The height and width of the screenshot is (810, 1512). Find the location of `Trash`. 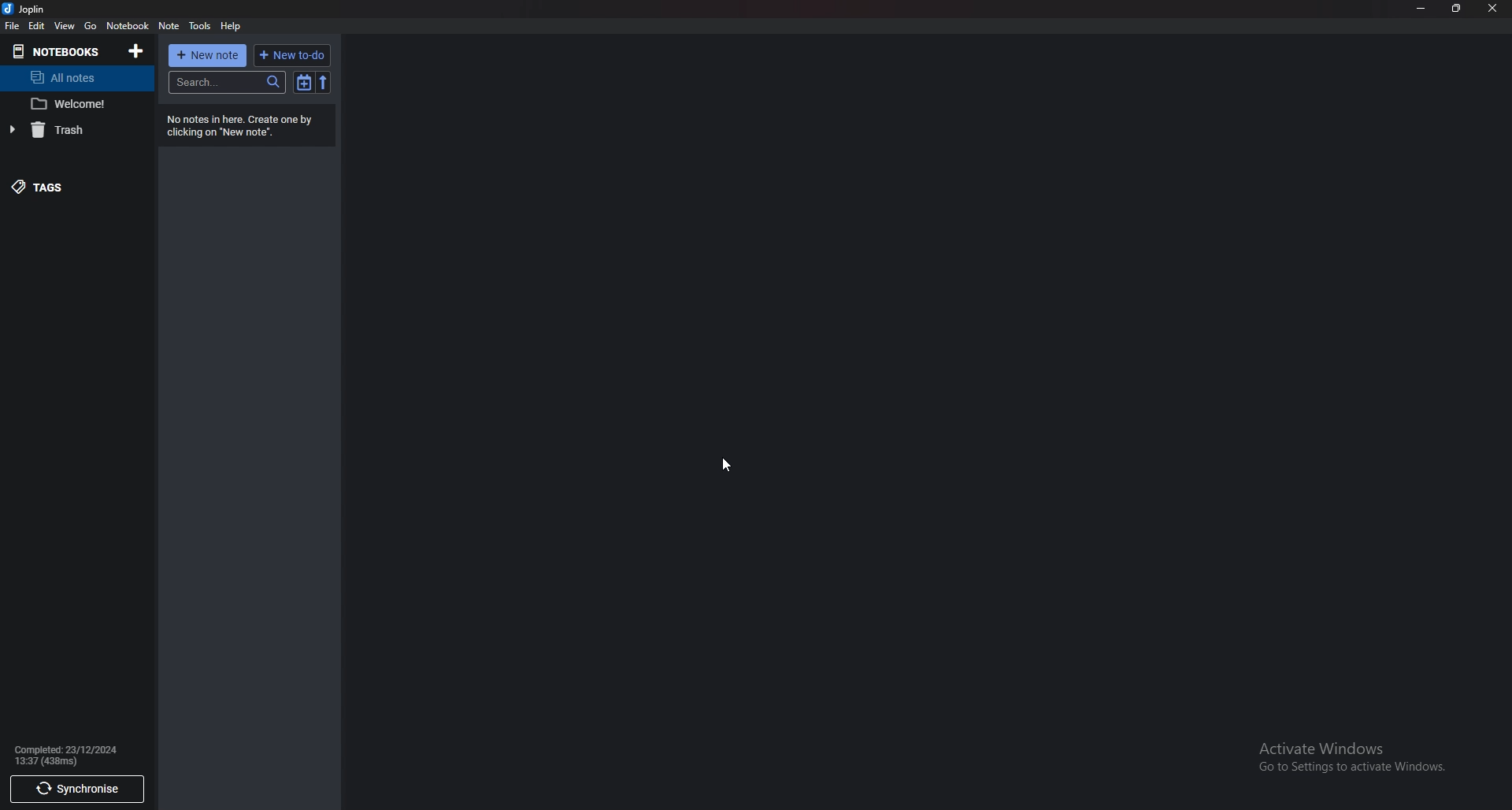

Trash is located at coordinates (65, 132).